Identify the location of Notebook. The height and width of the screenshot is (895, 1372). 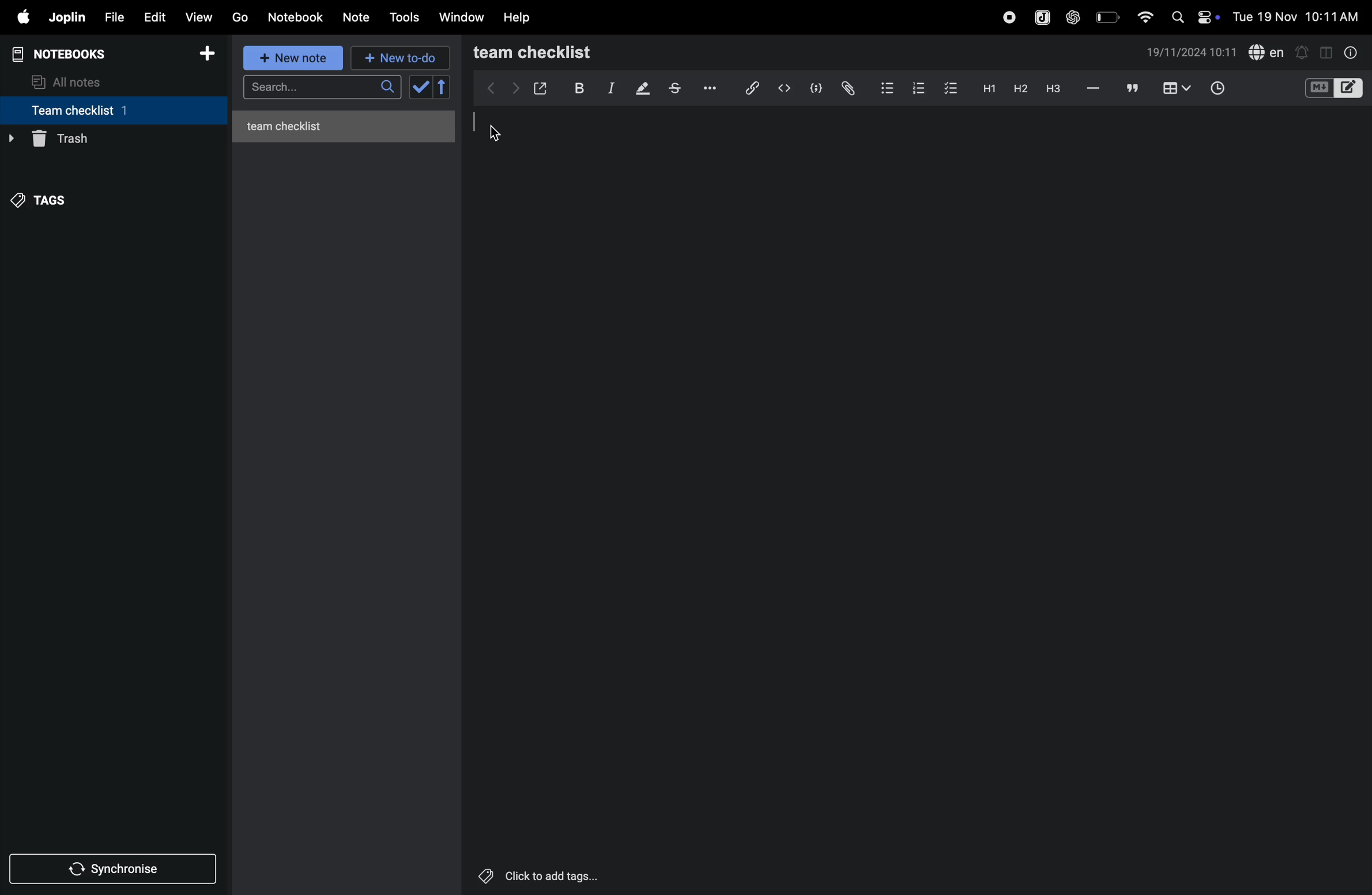
(299, 17).